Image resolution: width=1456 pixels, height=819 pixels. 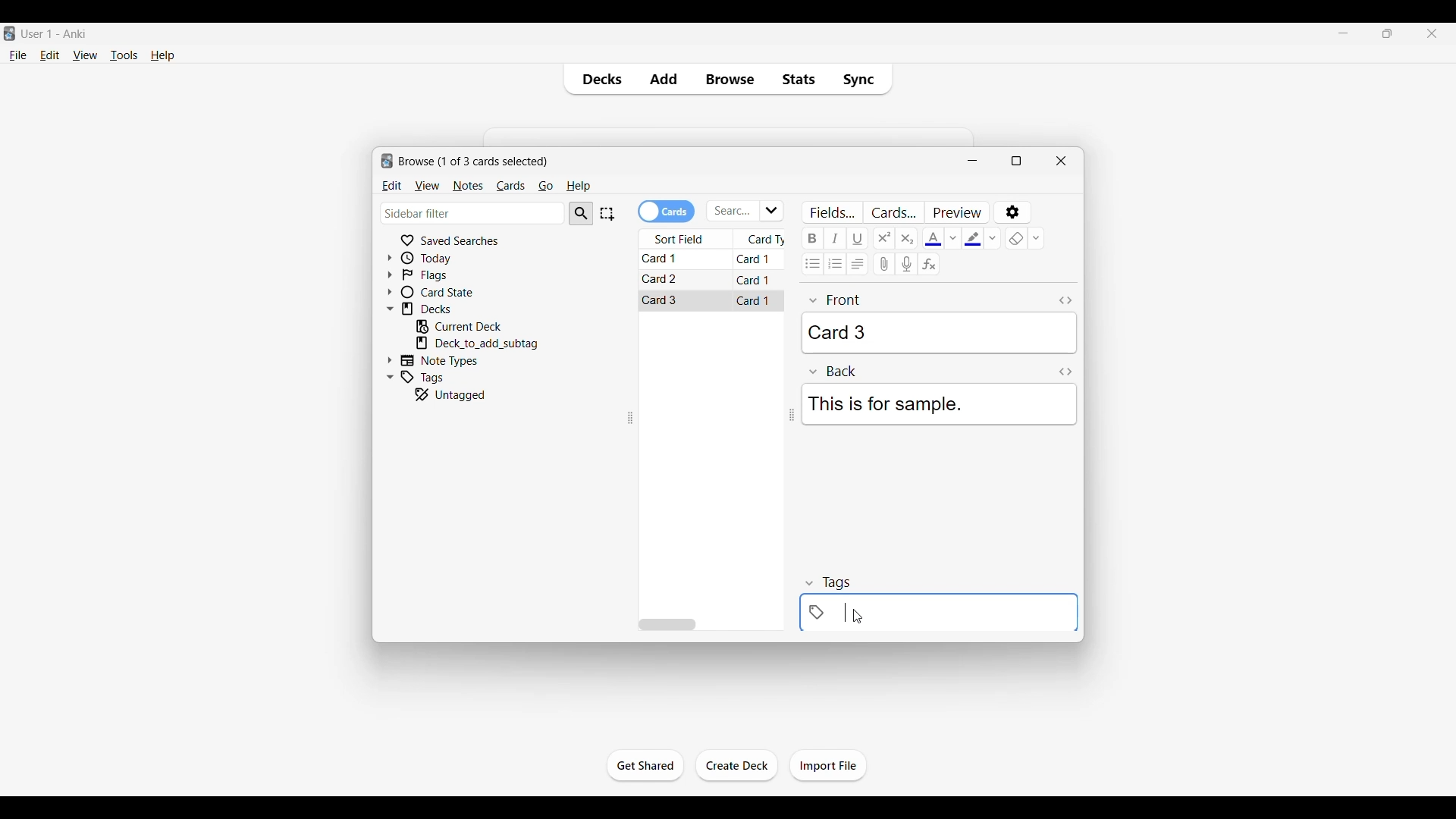 What do you see at coordinates (645, 766) in the screenshot?
I see `Click to start the study session for current deck` at bounding box center [645, 766].